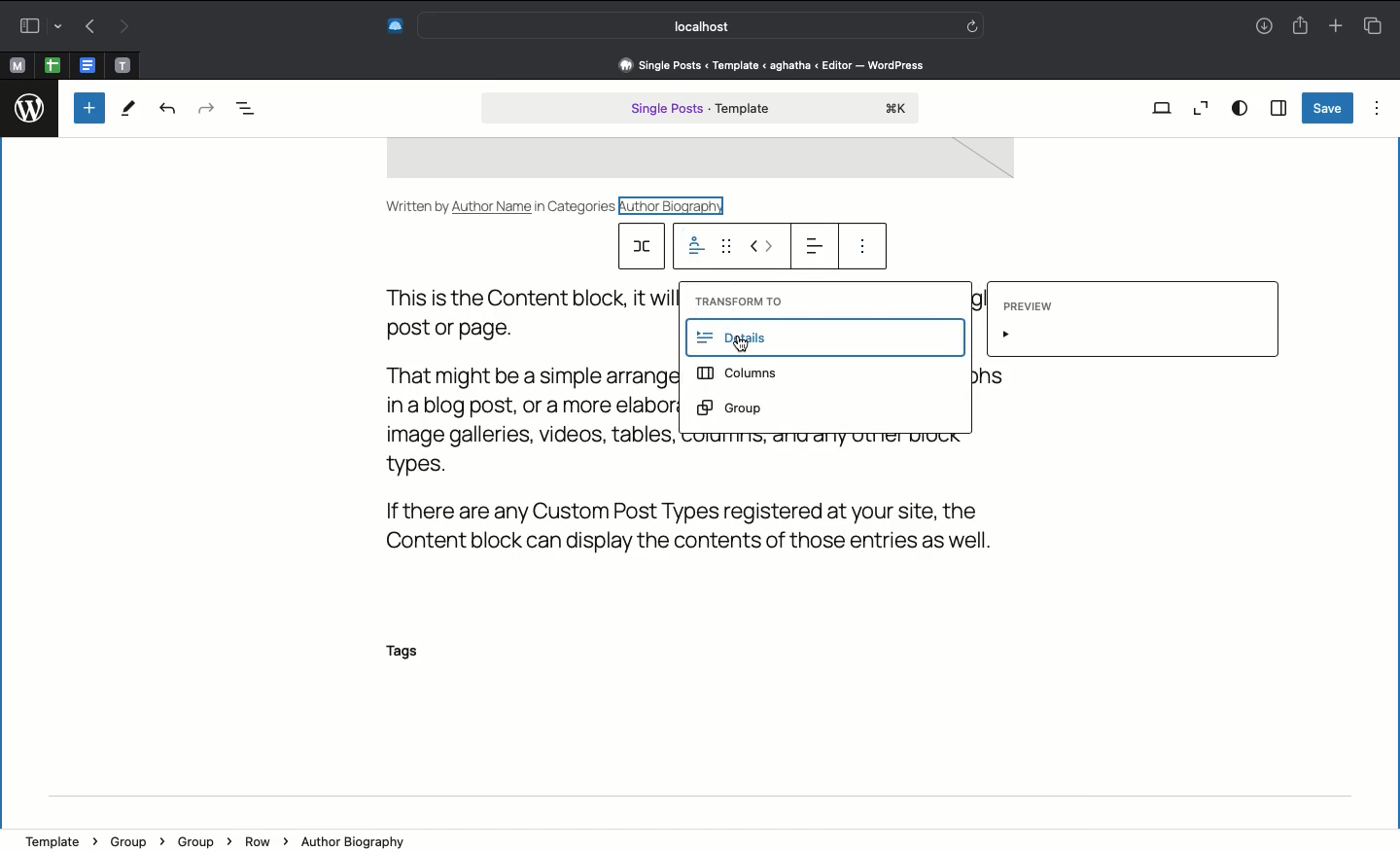 The image size is (1400, 852). What do you see at coordinates (733, 408) in the screenshot?
I see `Group` at bounding box center [733, 408].